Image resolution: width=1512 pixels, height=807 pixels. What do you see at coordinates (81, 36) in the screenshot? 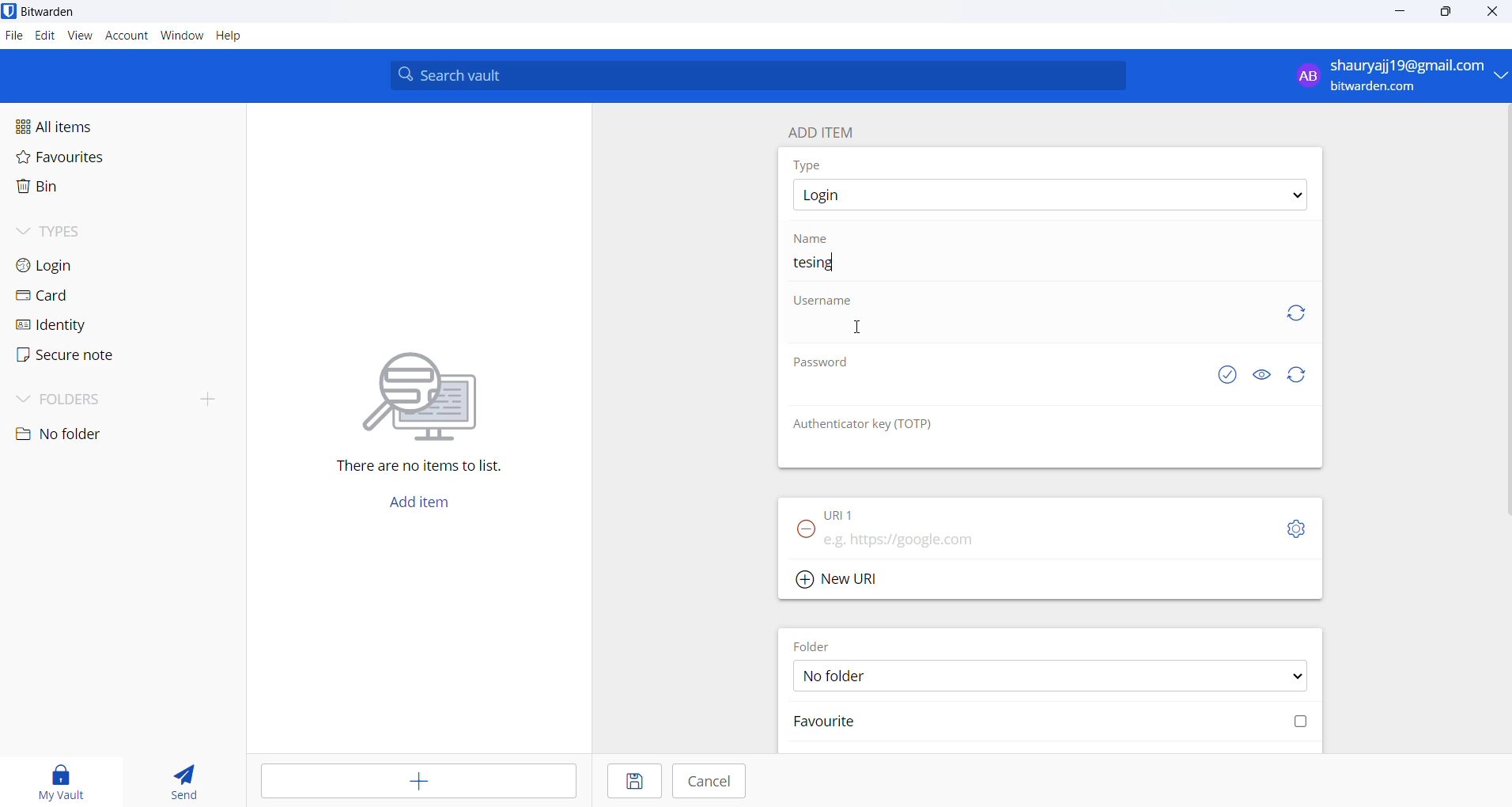
I see `View` at bounding box center [81, 36].